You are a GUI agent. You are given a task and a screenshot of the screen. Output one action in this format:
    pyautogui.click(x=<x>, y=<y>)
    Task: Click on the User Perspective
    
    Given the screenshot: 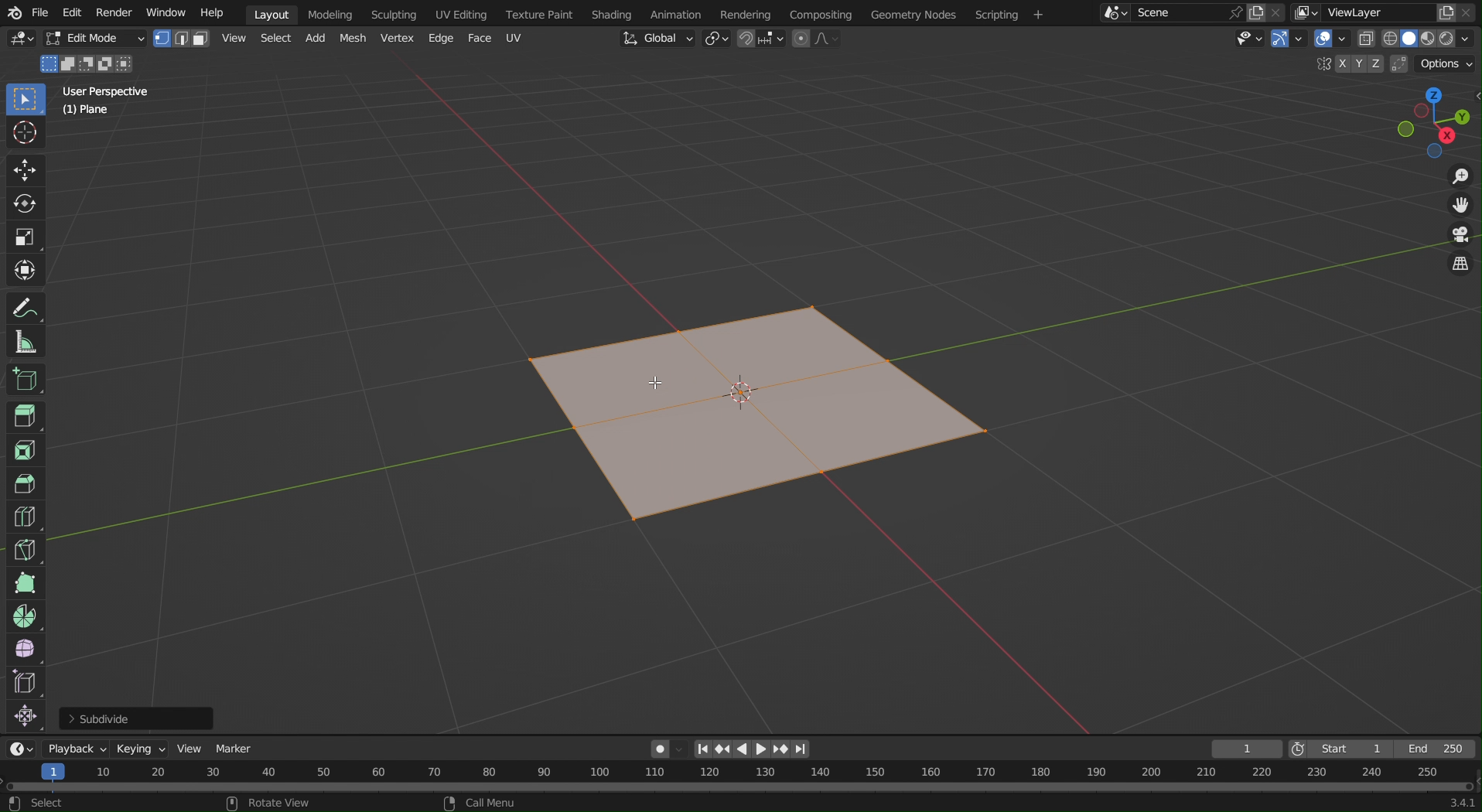 What is the action you would take?
    pyautogui.click(x=108, y=90)
    